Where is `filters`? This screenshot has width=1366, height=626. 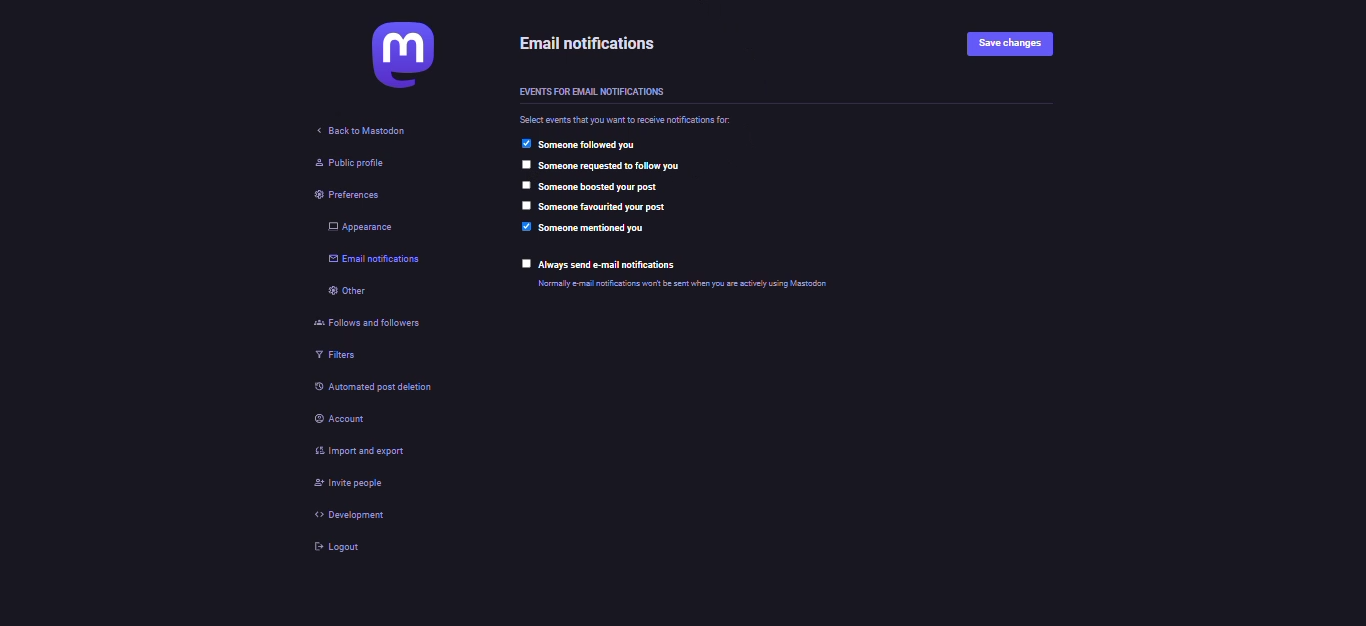
filters is located at coordinates (331, 358).